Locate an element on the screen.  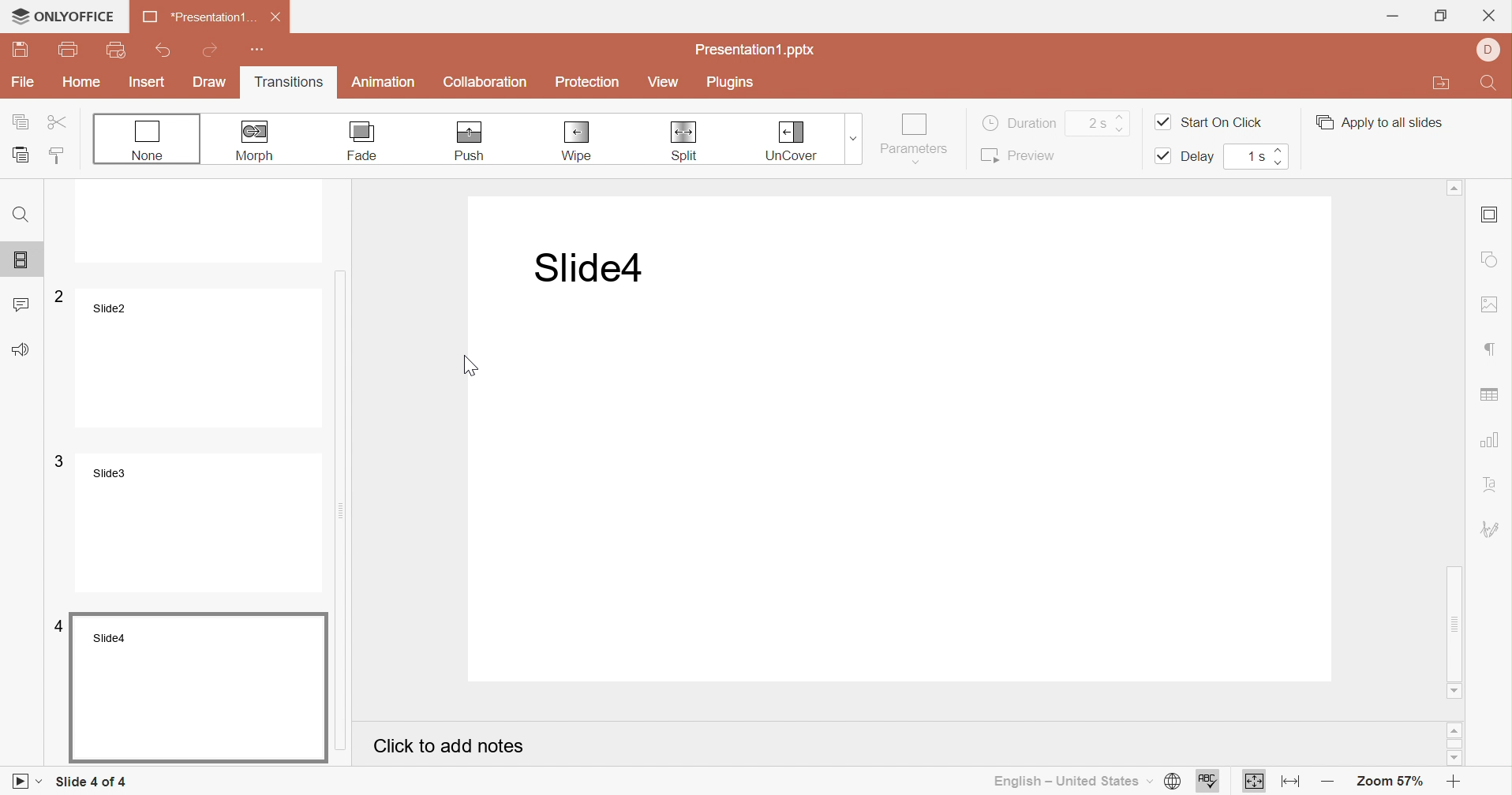
Click to add notes is located at coordinates (450, 748).